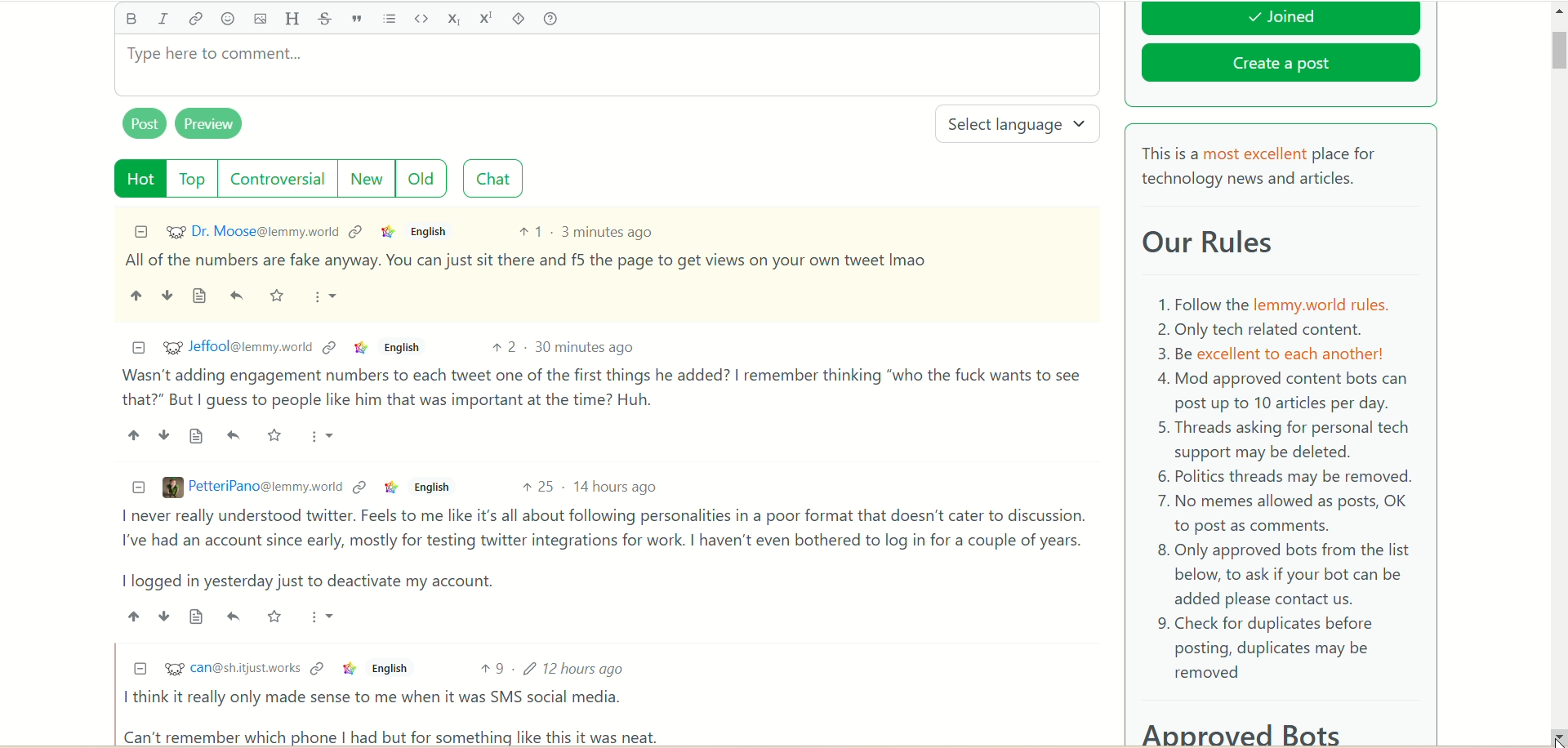 Image resolution: width=1568 pixels, height=748 pixels. Describe the element at coordinates (519, 19) in the screenshot. I see `spoiler` at that location.